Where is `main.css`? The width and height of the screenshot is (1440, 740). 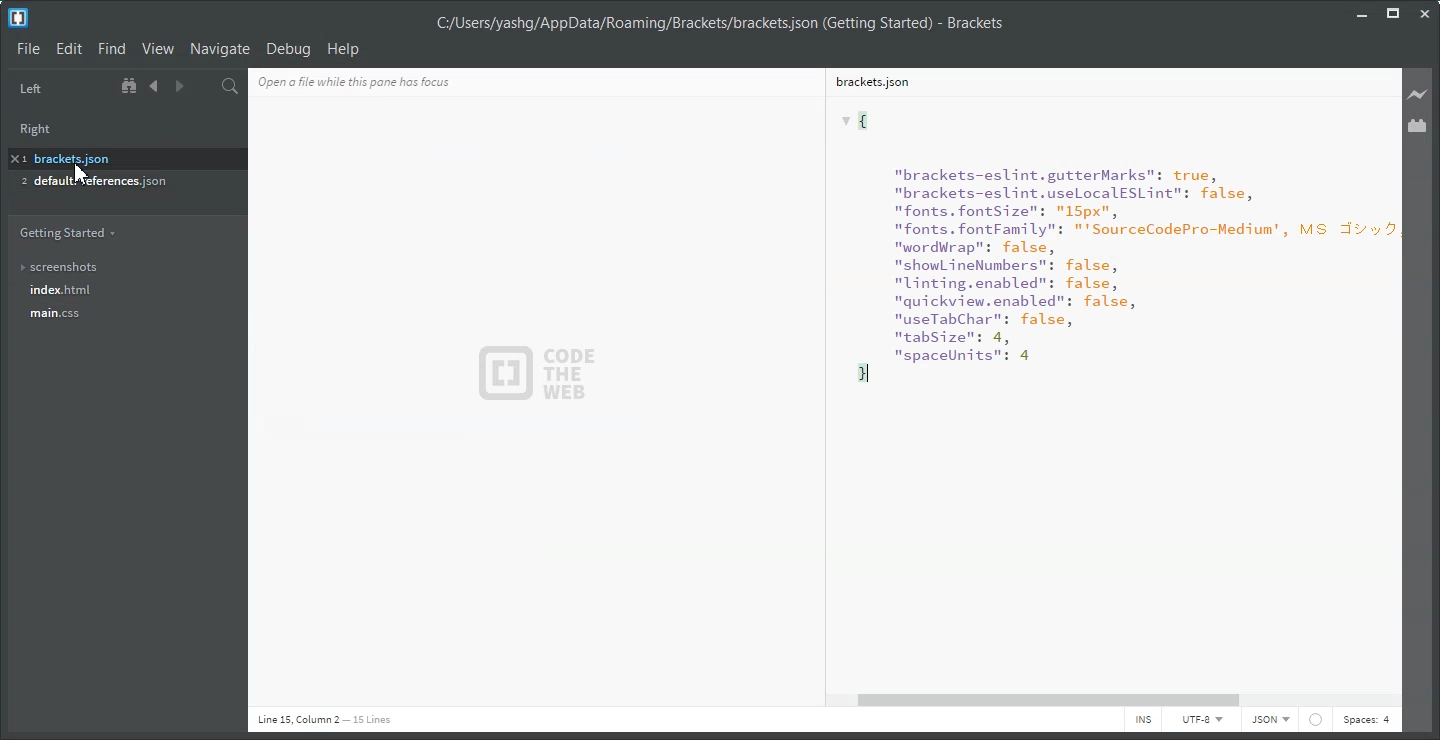 main.css is located at coordinates (121, 319).